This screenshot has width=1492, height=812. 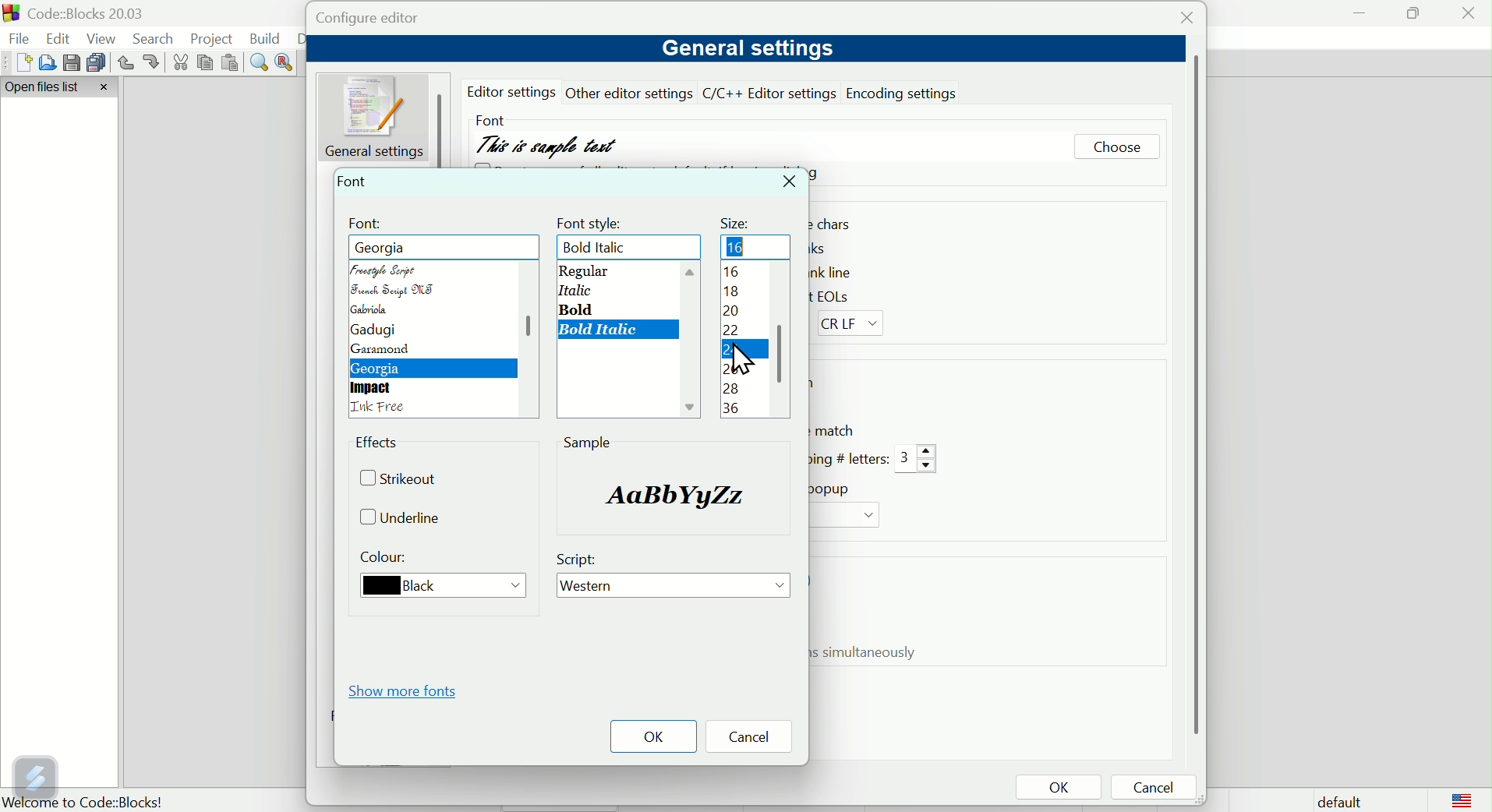 I want to click on scroll bar, so click(x=1193, y=395).